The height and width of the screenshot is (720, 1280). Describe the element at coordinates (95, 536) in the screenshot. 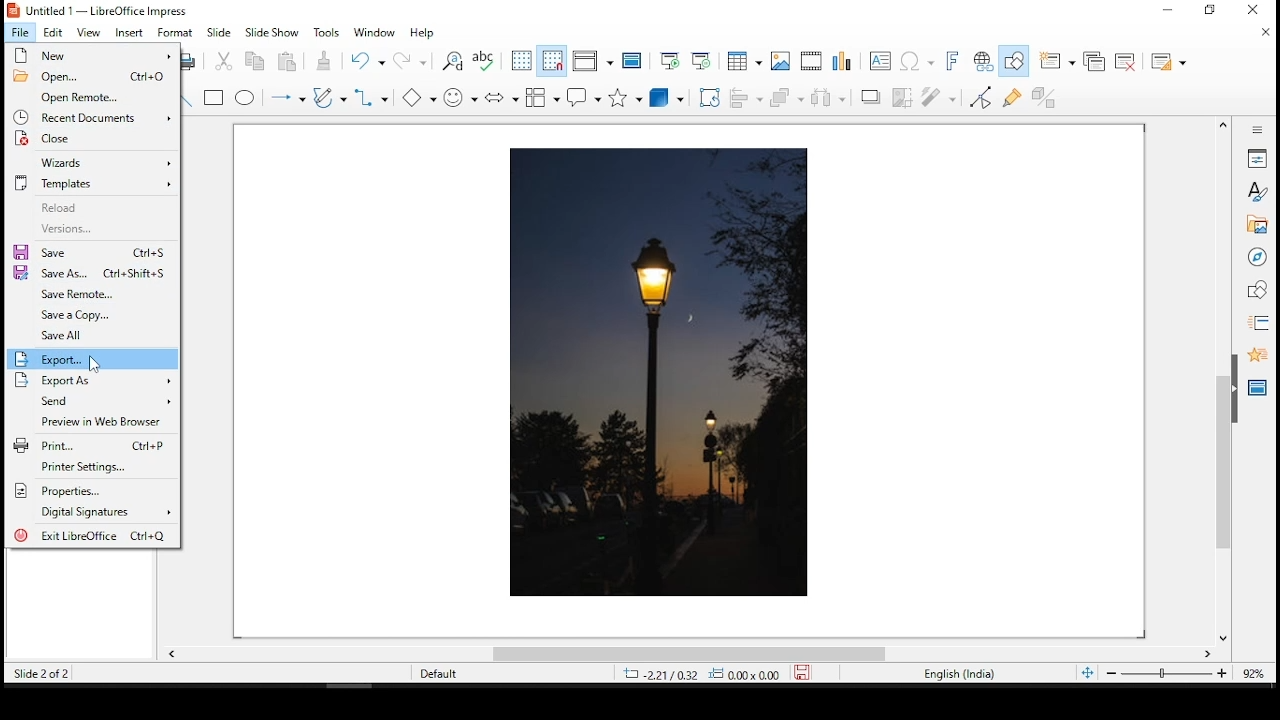

I see `exit libreoffice` at that location.